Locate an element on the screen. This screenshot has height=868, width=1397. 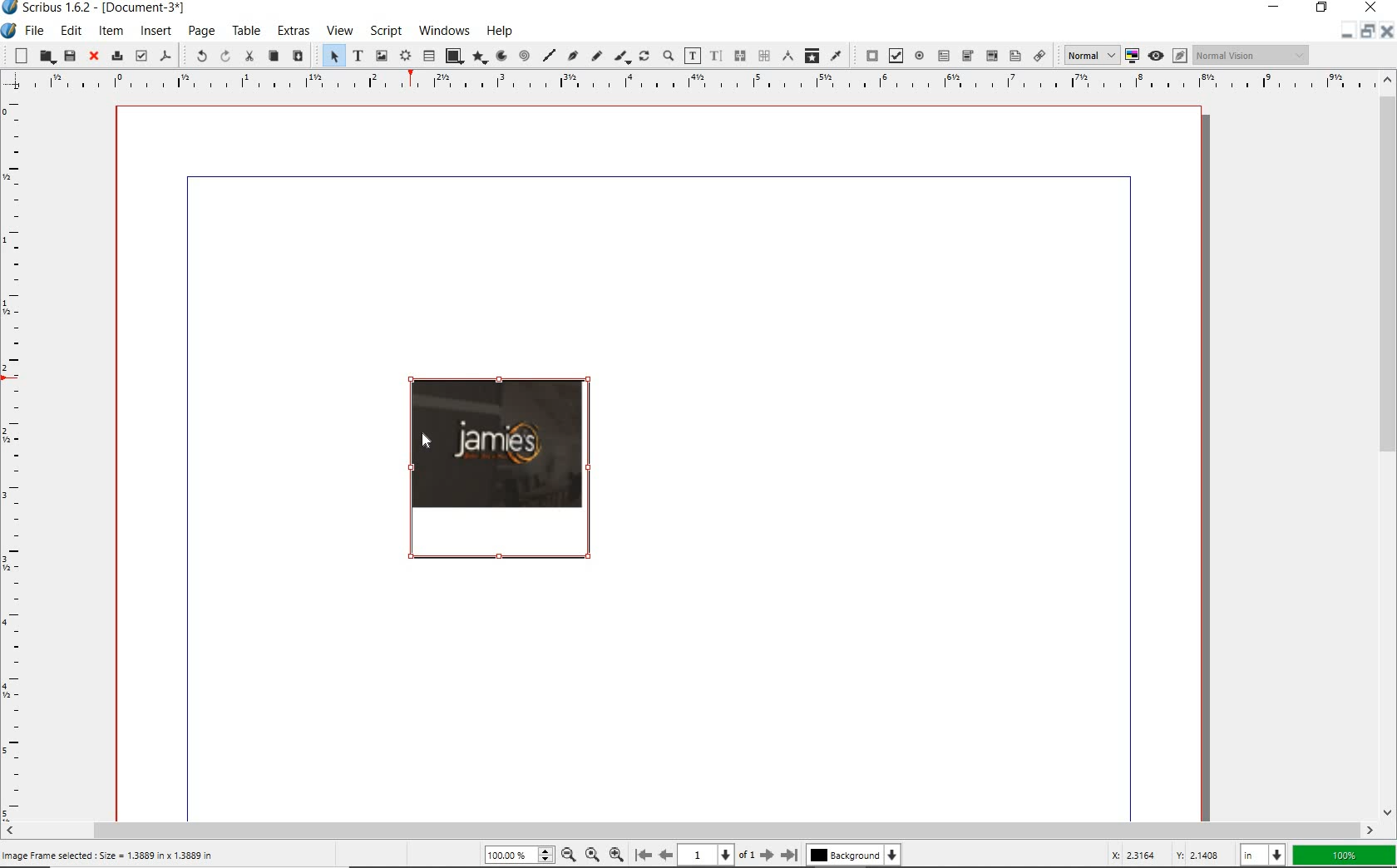
EXTRAS is located at coordinates (293, 31).